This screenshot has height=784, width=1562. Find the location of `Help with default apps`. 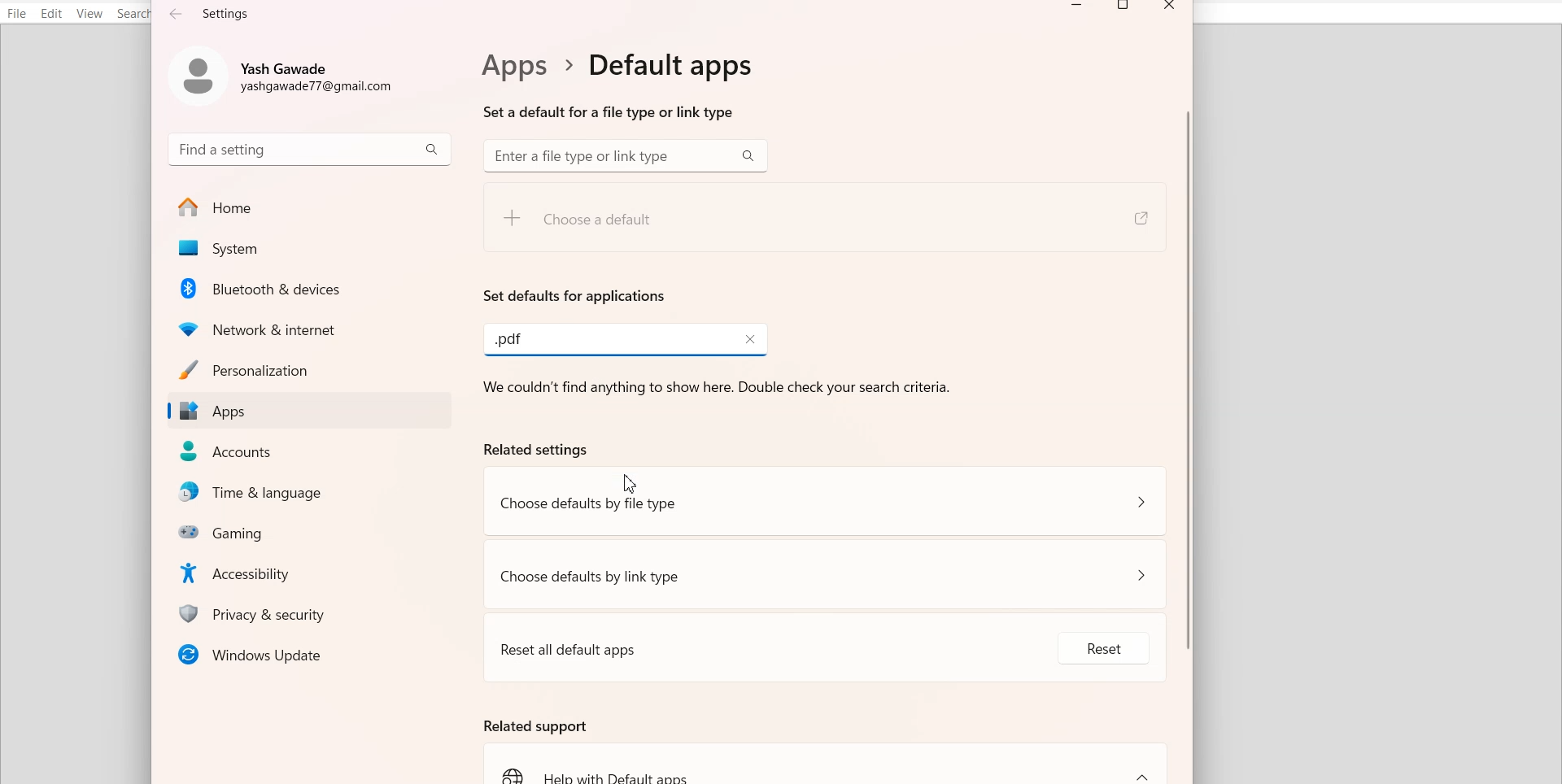

Help with default apps is located at coordinates (827, 764).